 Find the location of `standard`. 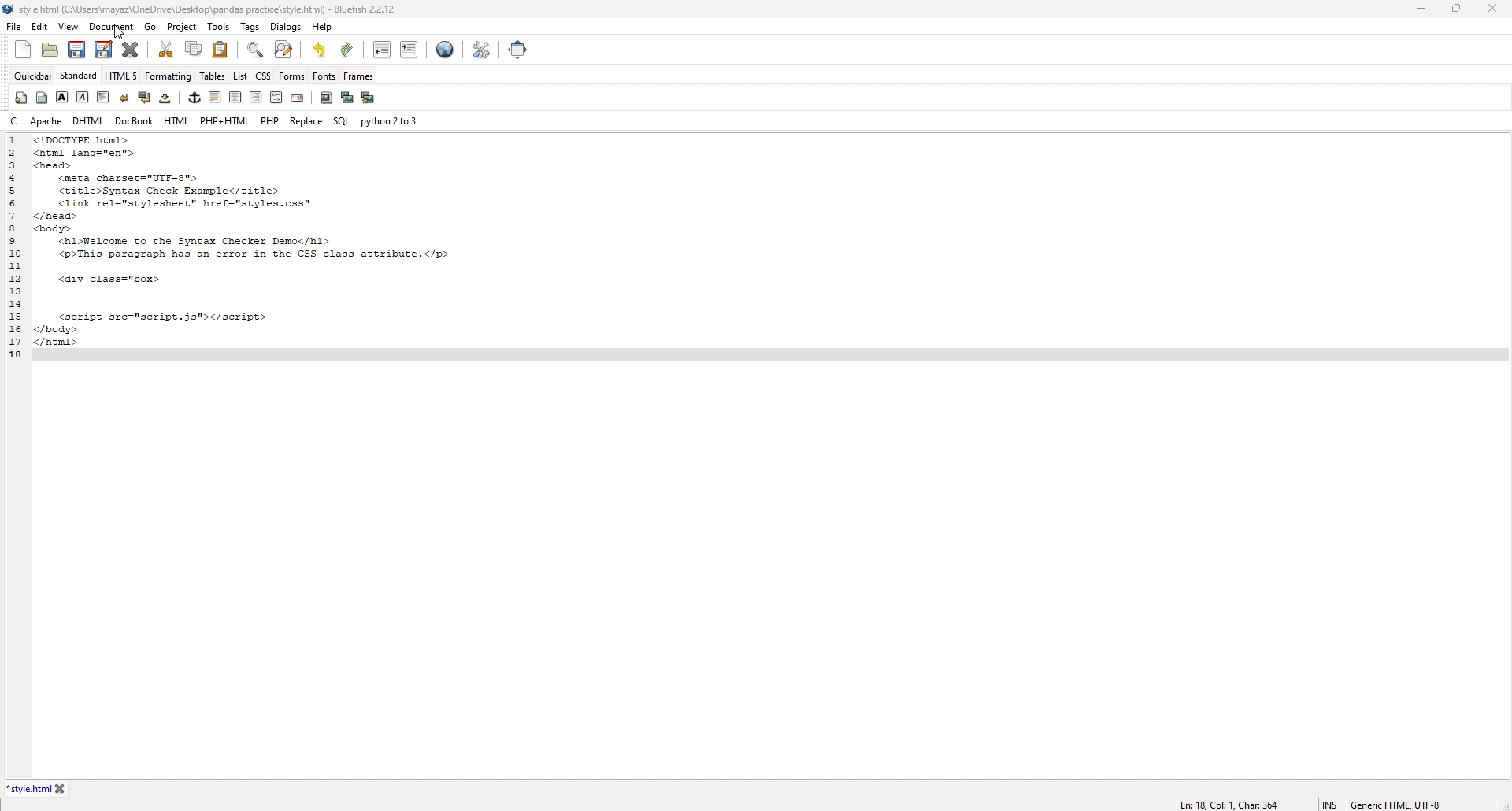

standard is located at coordinates (80, 75).